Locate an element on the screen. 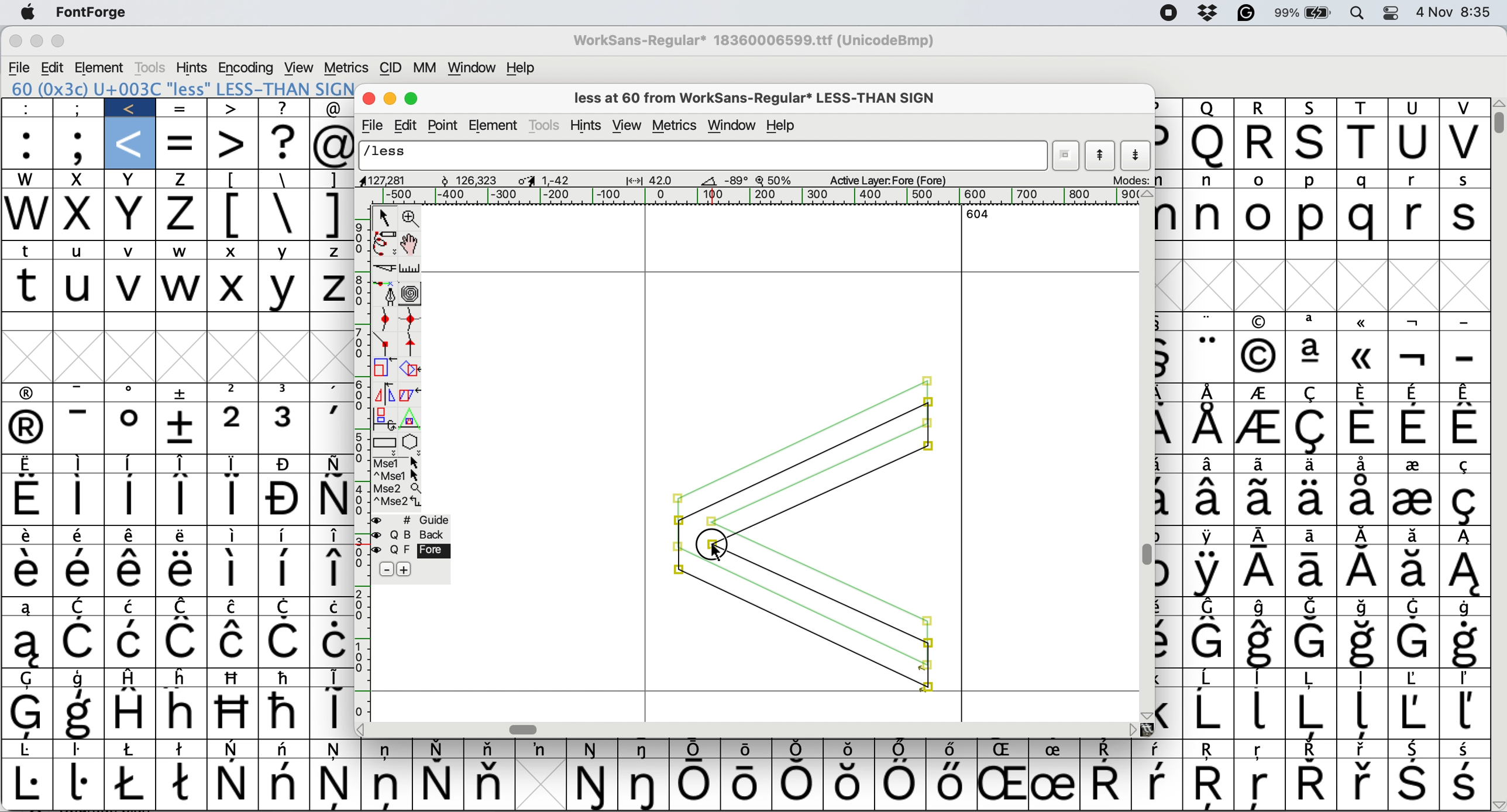 This screenshot has height=812, width=1507. file is located at coordinates (20, 66).